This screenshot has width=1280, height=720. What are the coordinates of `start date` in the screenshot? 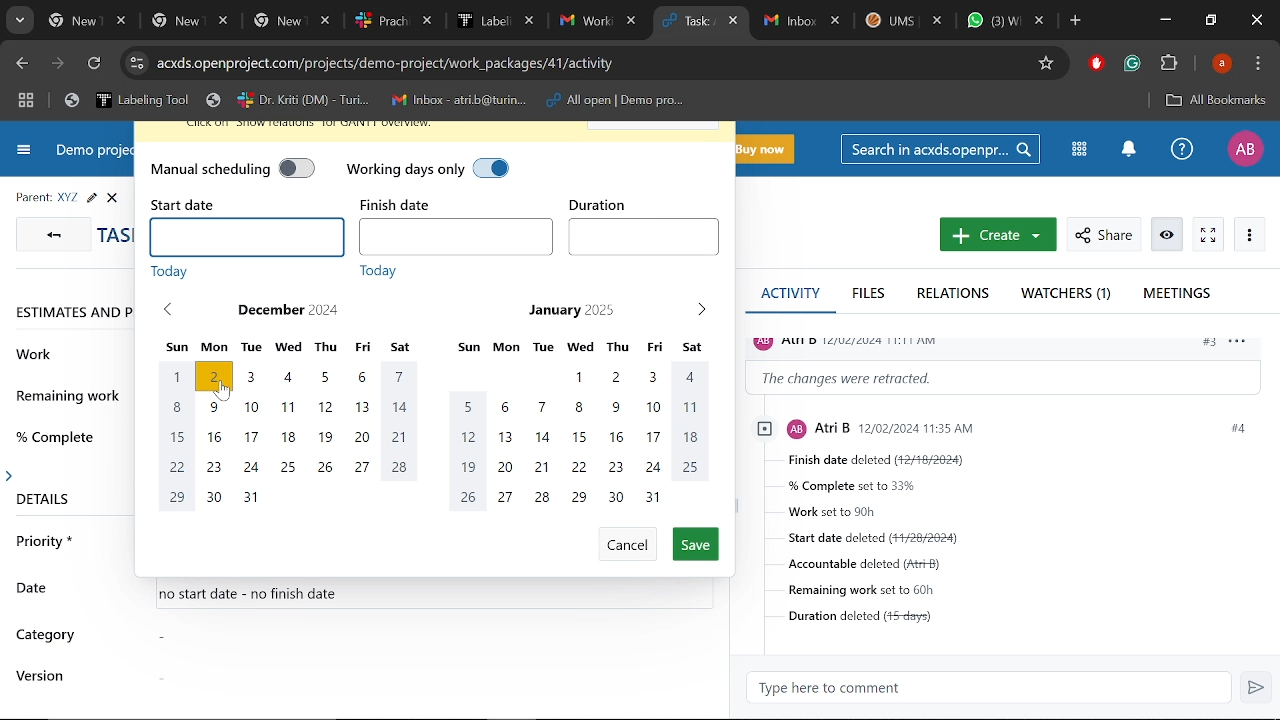 It's located at (182, 203).